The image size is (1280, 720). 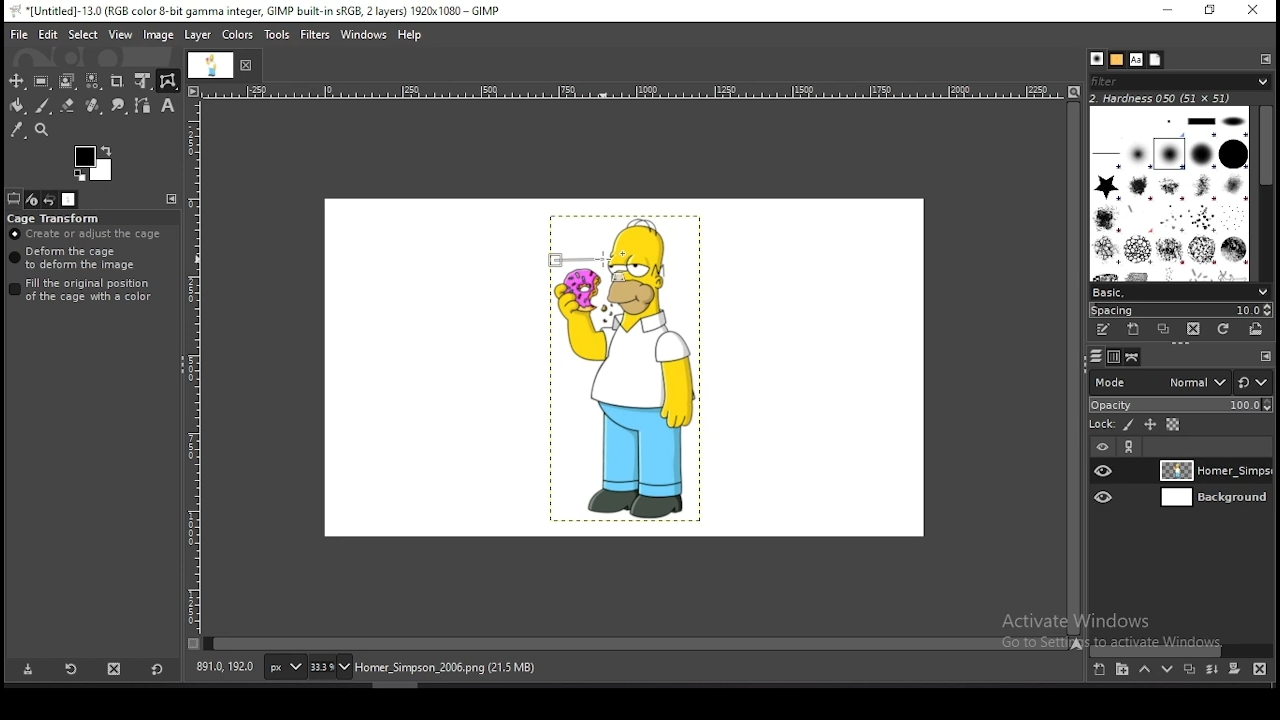 I want to click on filters, so click(x=316, y=35).